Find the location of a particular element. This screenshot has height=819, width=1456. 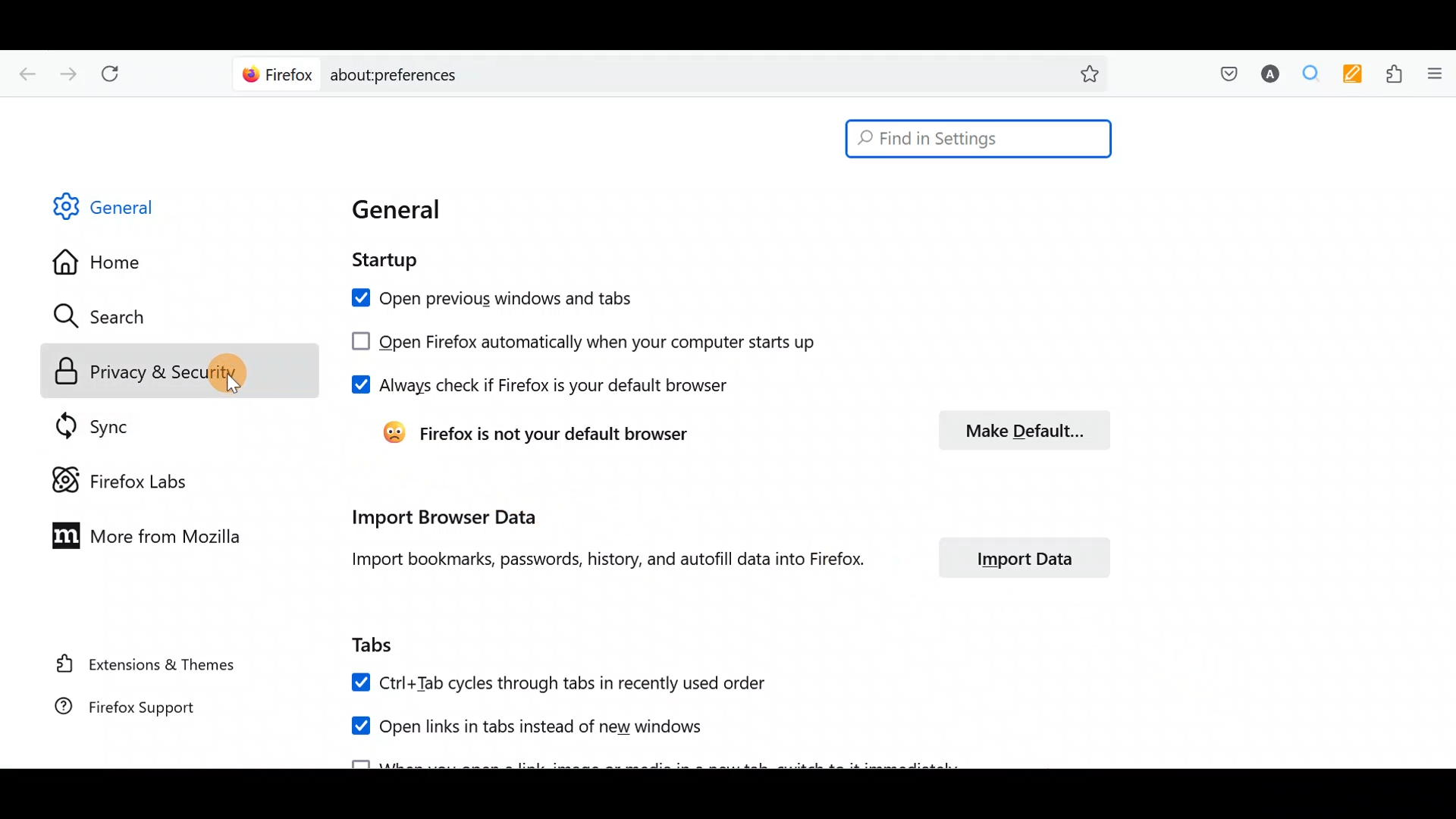

Sync is located at coordinates (113, 425).